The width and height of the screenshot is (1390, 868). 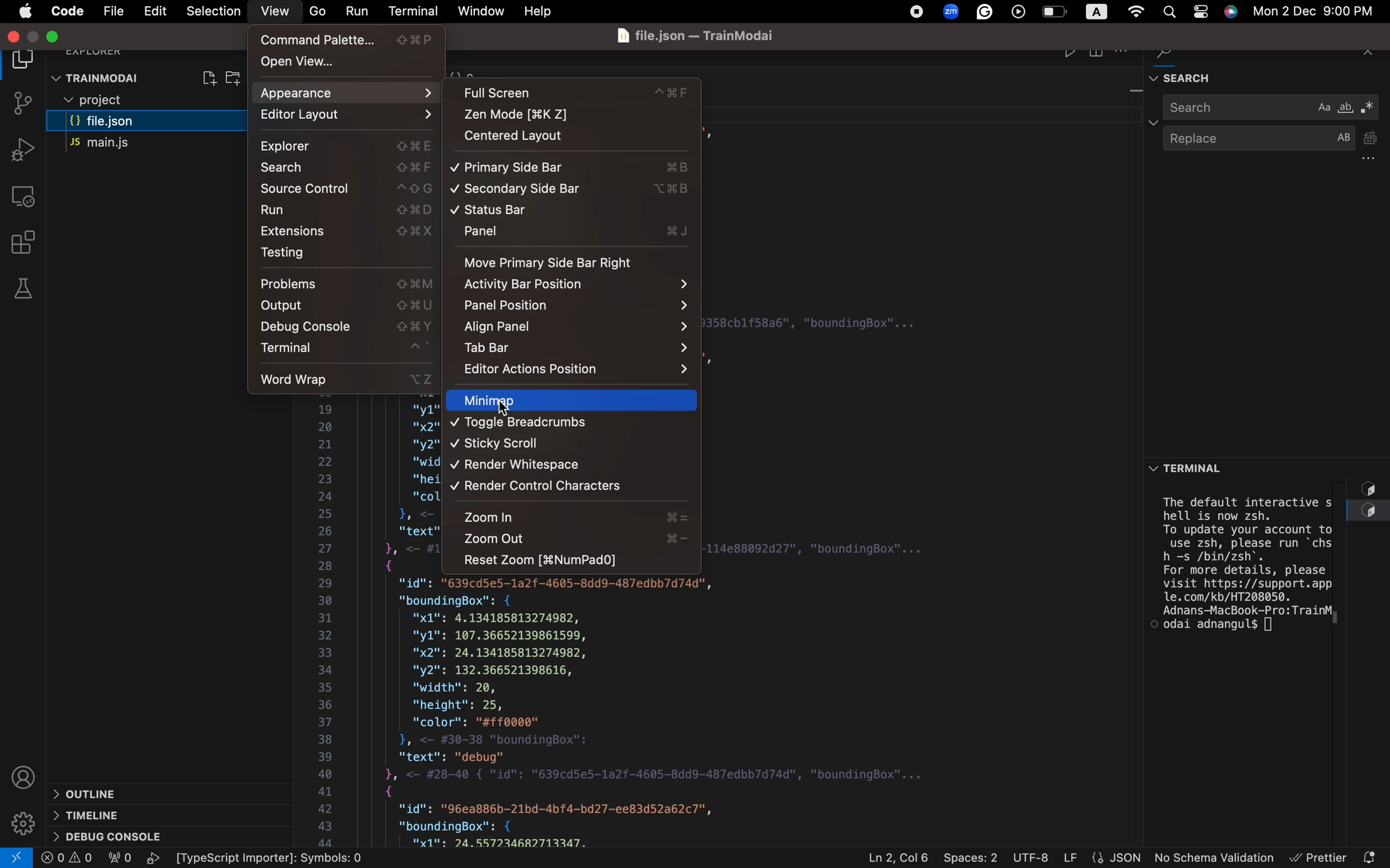 What do you see at coordinates (99, 76) in the screenshot?
I see `trainmodal` at bounding box center [99, 76].